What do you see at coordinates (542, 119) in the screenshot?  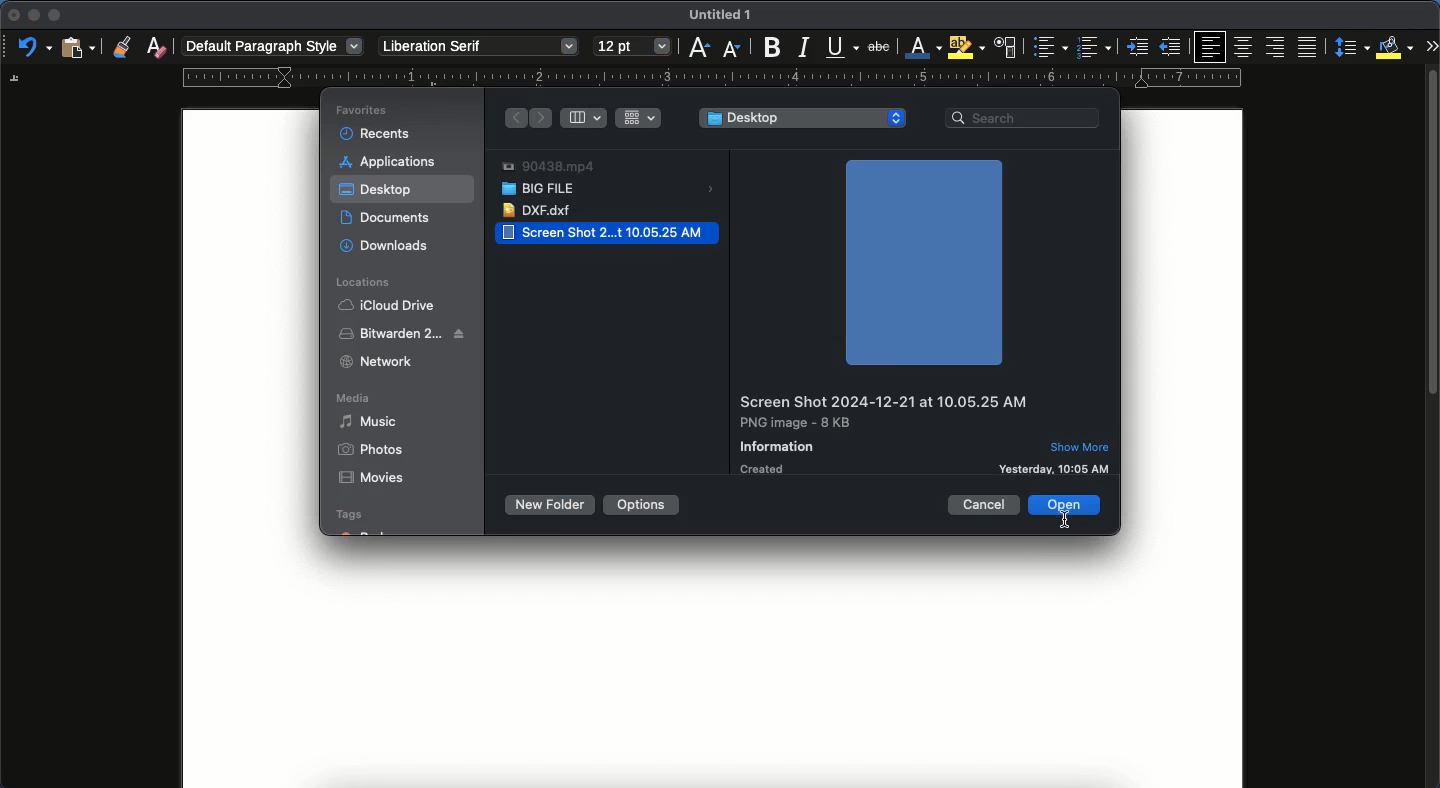 I see `left` at bounding box center [542, 119].